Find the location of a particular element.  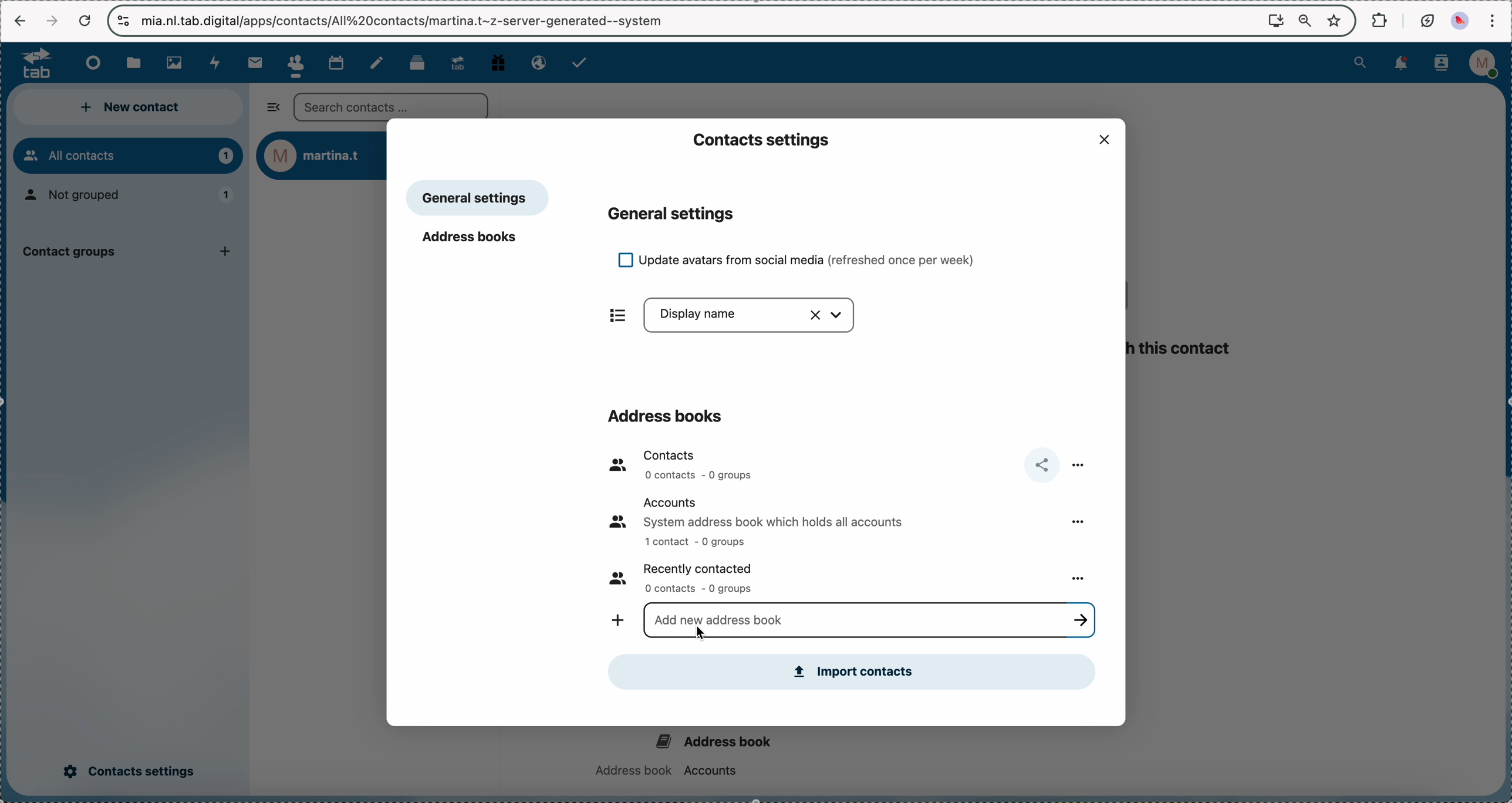

customize and control Google Chrome is located at coordinates (1495, 19).